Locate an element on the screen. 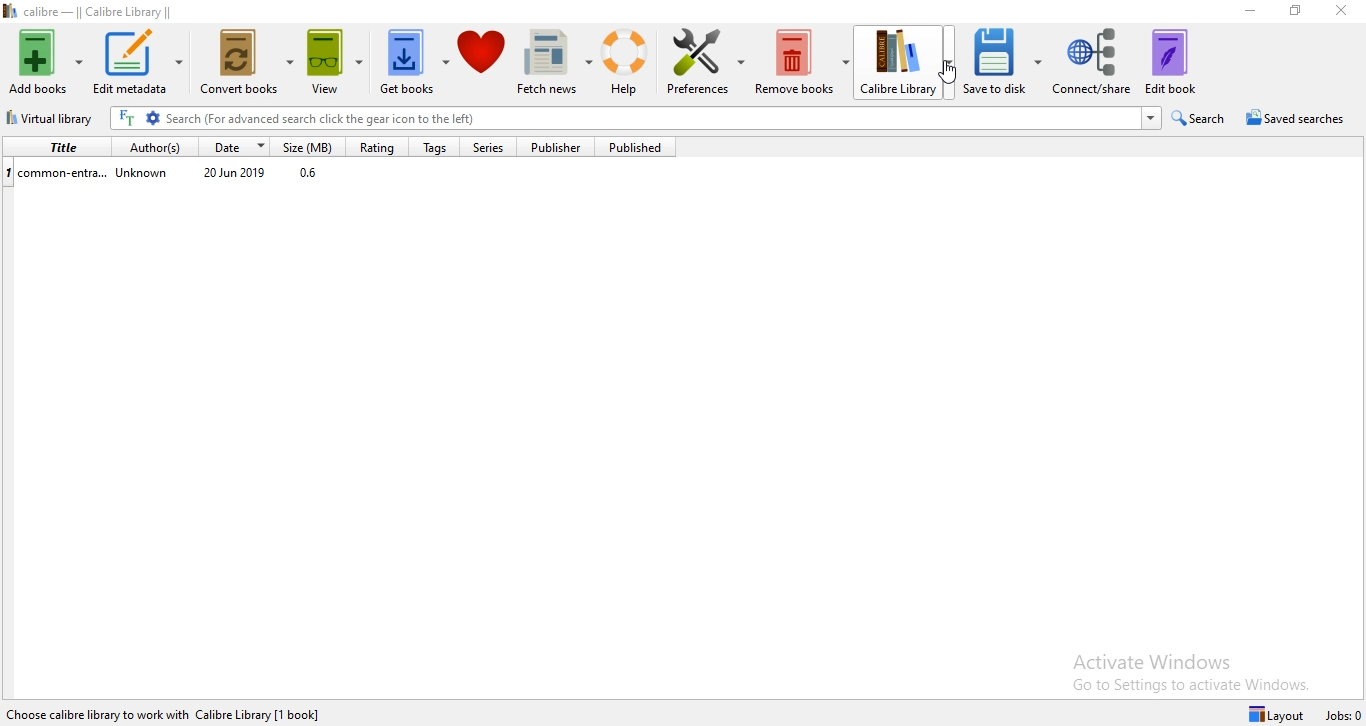 The height and width of the screenshot is (726, 1366). Unknown is located at coordinates (144, 176).